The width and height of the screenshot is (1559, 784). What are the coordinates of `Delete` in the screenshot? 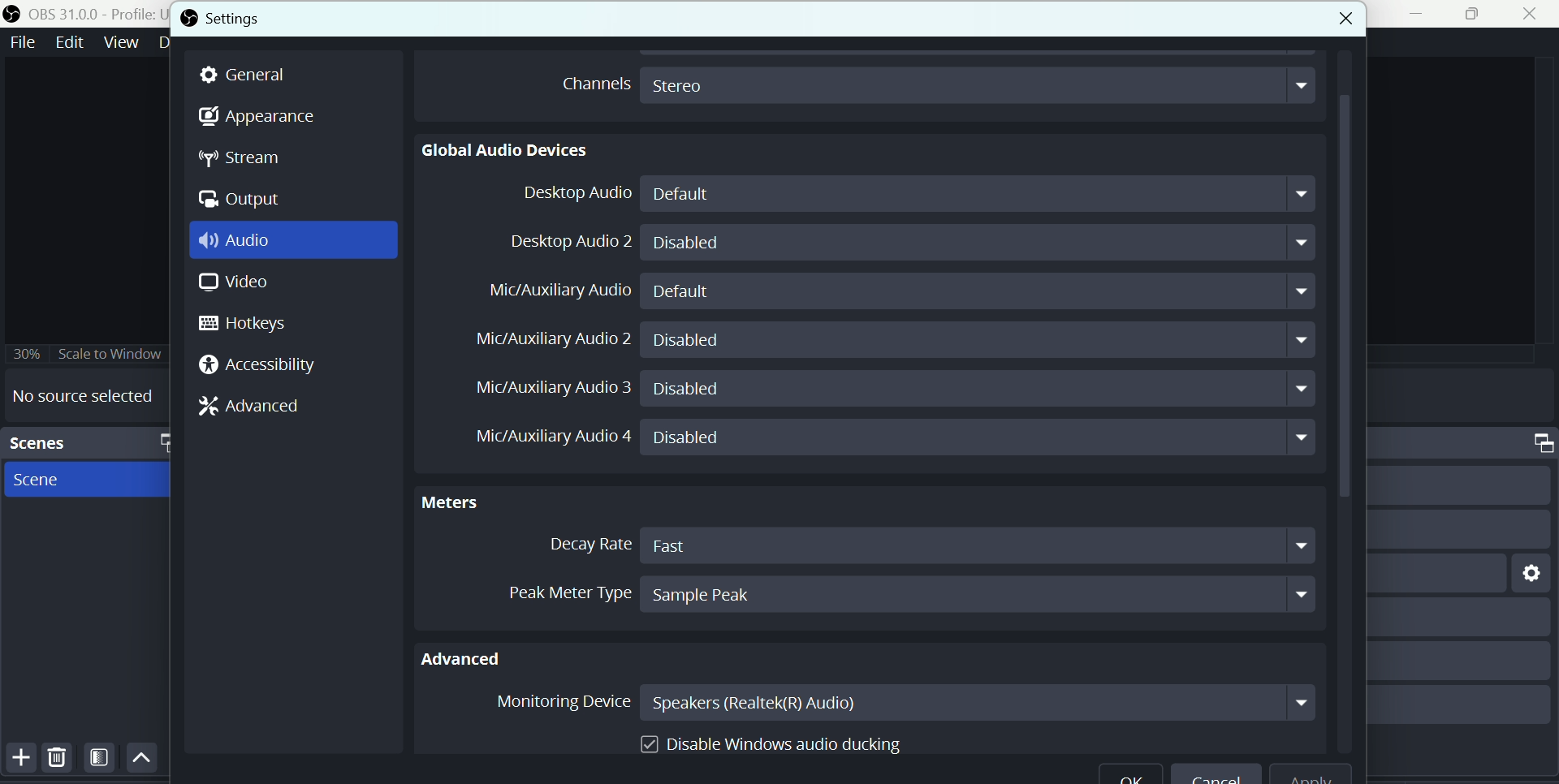 It's located at (57, 760).